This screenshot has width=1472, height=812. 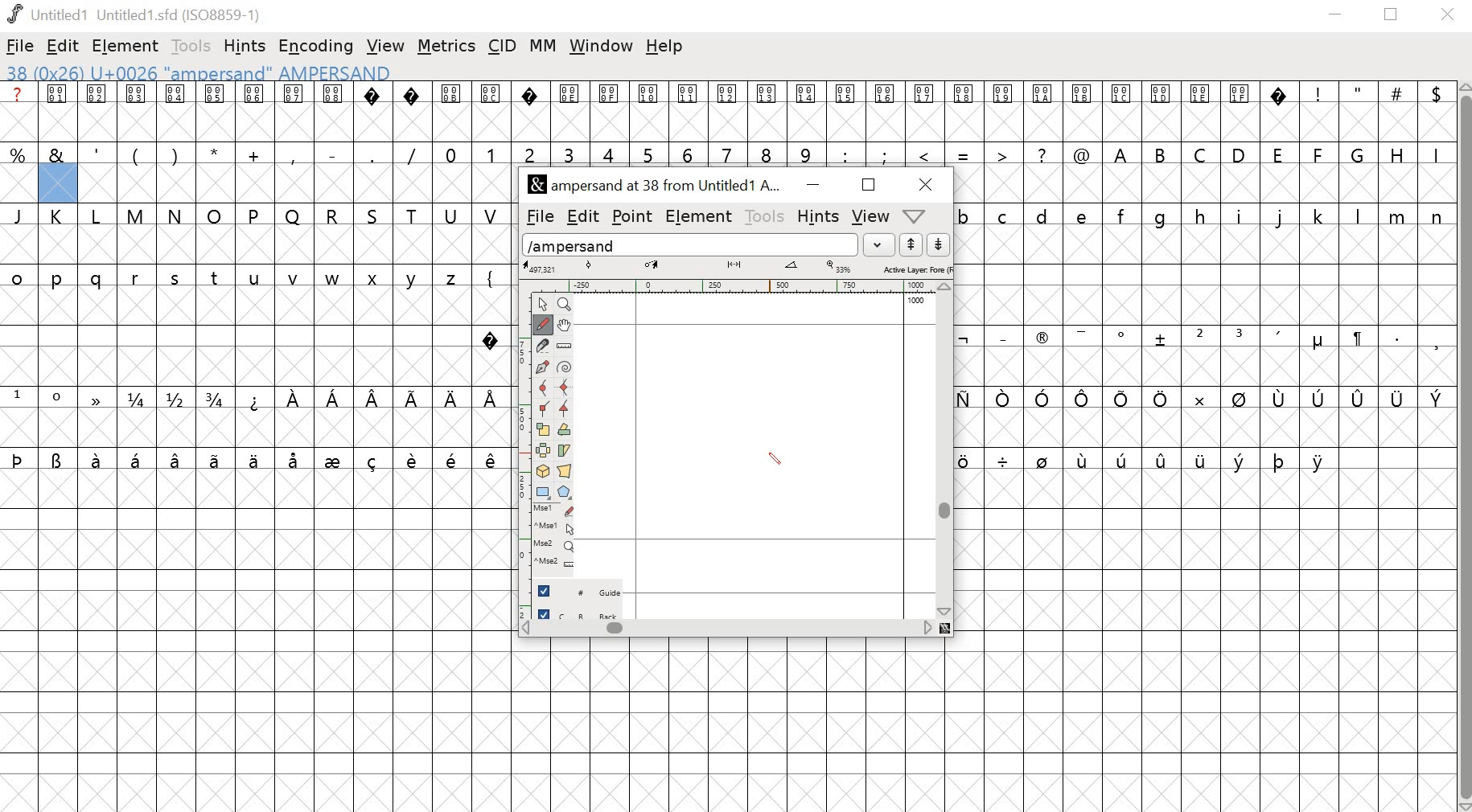 What do you see at coordinates (294, 111) in the screenshot?
I see `0007` at bounding box center [294, 111].